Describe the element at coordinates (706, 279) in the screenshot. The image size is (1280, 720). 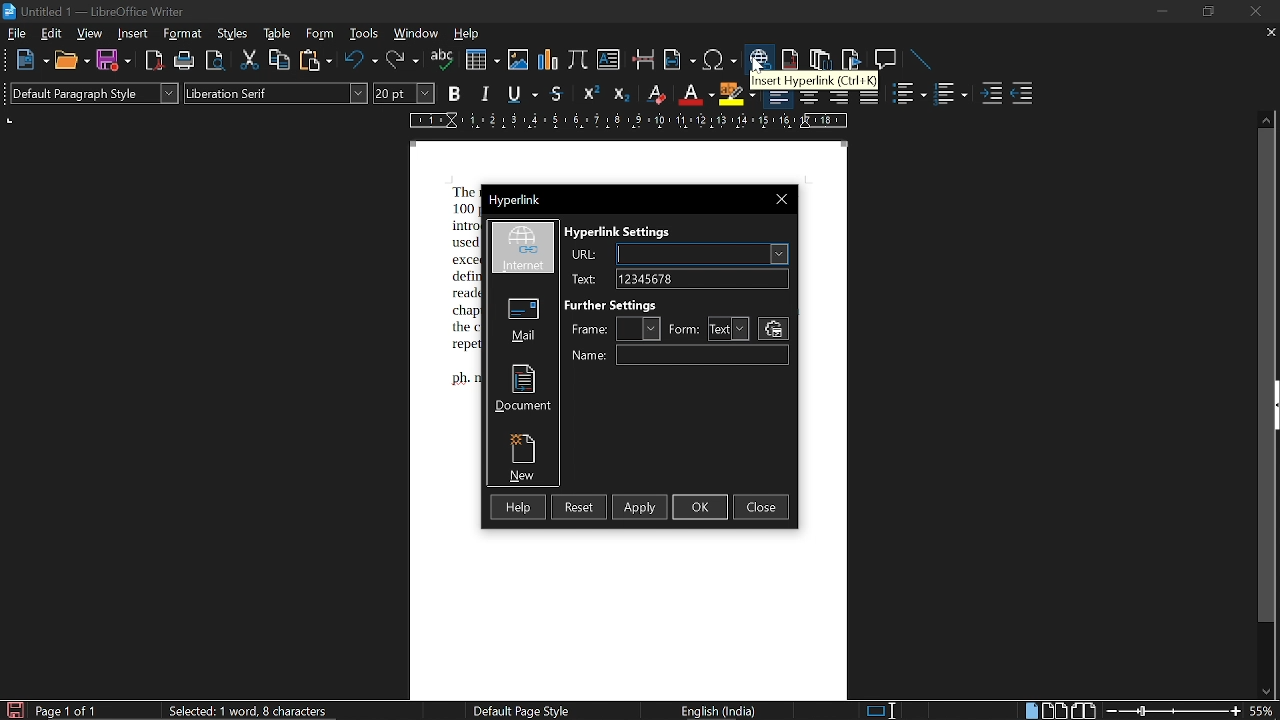
I see `text` at that location.